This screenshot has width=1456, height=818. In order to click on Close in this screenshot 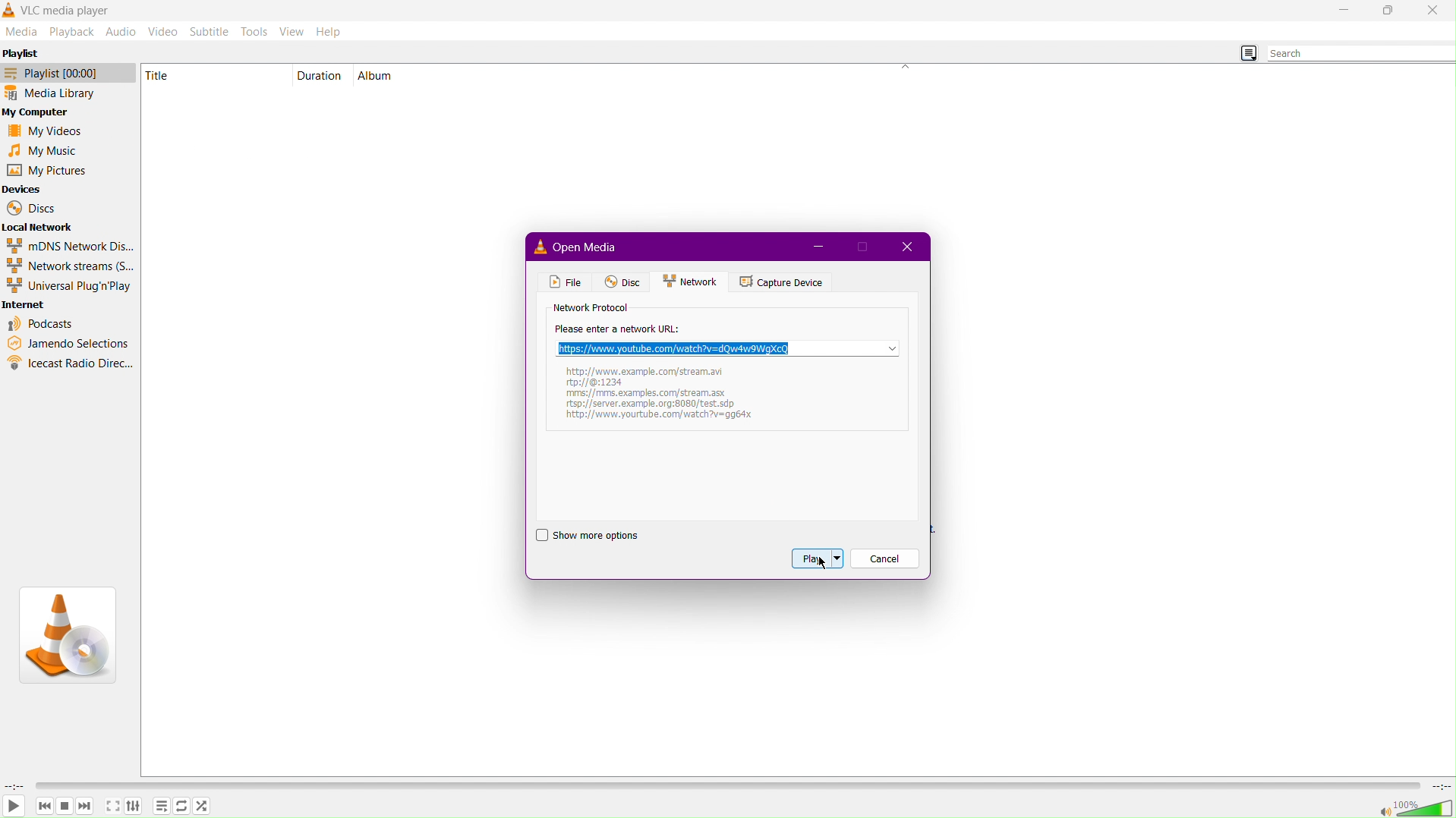, I will do `click(911, 247)`.